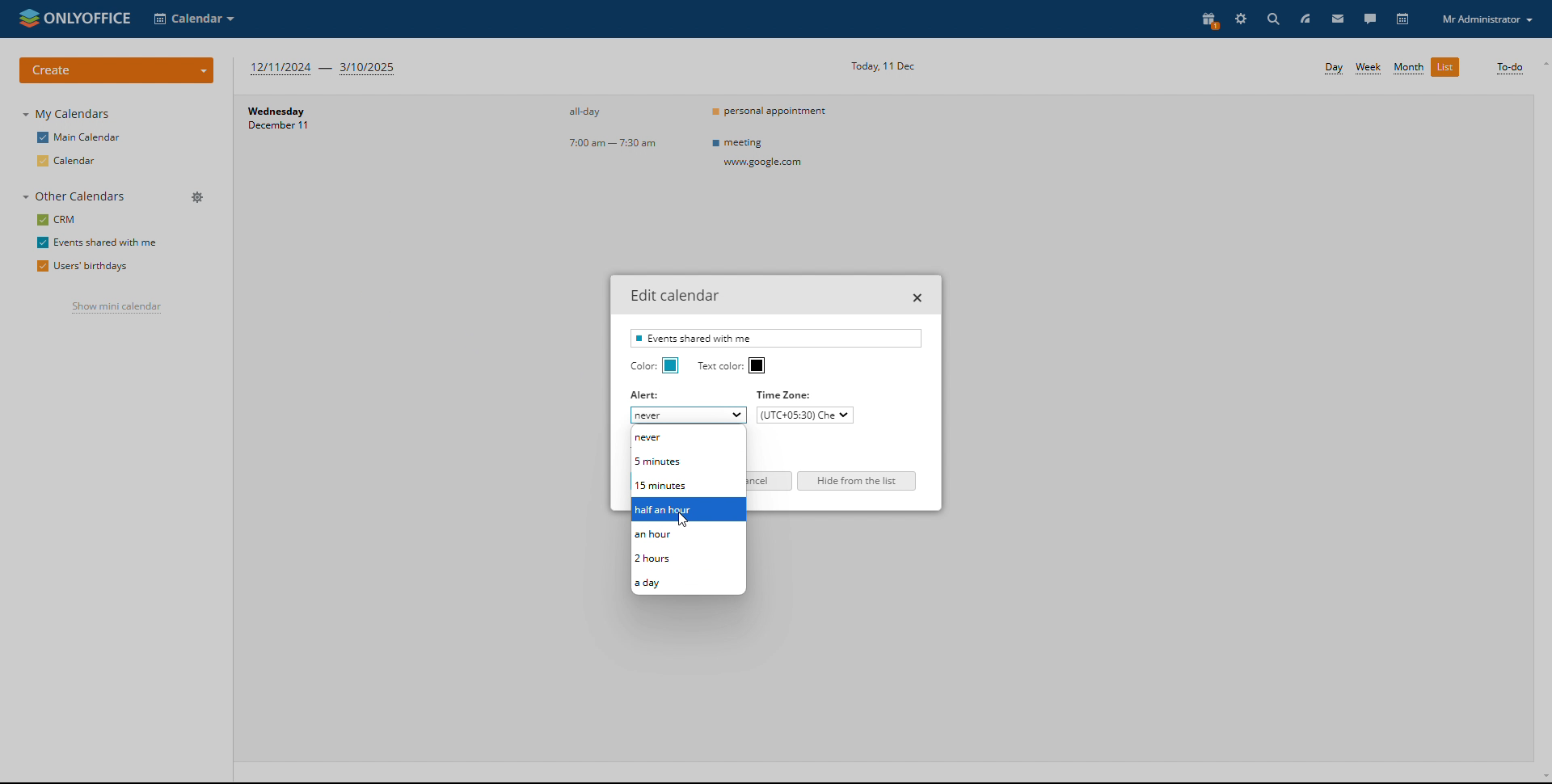  I want to click on logo, so click(72, 19).